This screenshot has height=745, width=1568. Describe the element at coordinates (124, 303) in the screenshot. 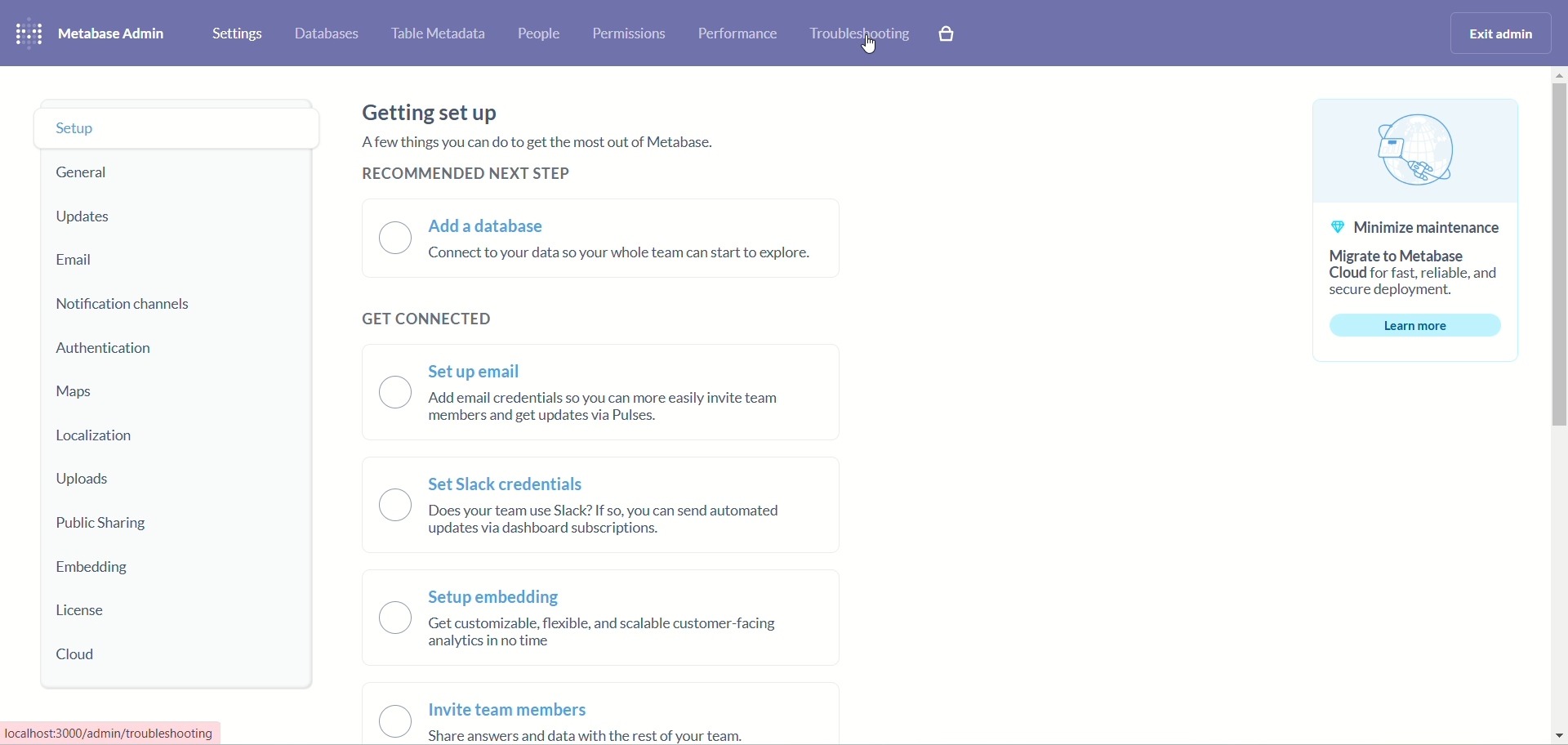

I see `notification channels` at that location.